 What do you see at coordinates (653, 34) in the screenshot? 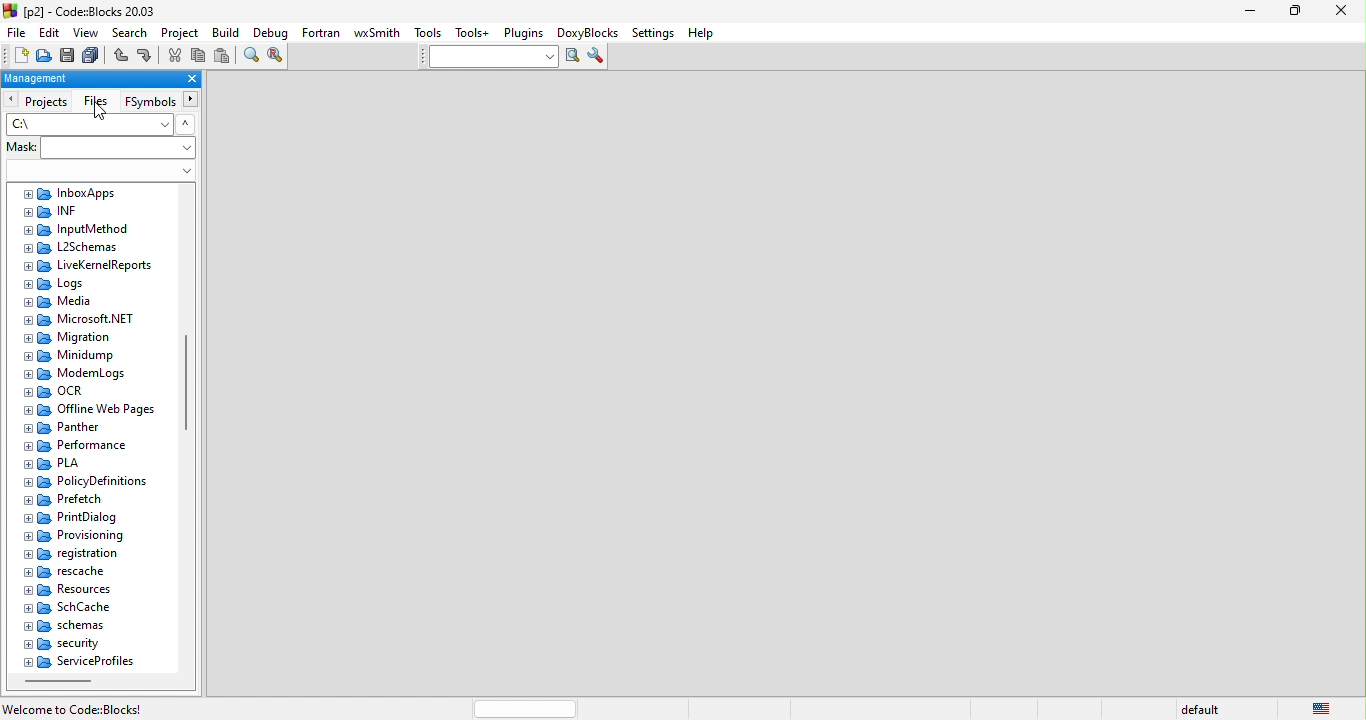
I see `settings` at bounding box center [653, 34].